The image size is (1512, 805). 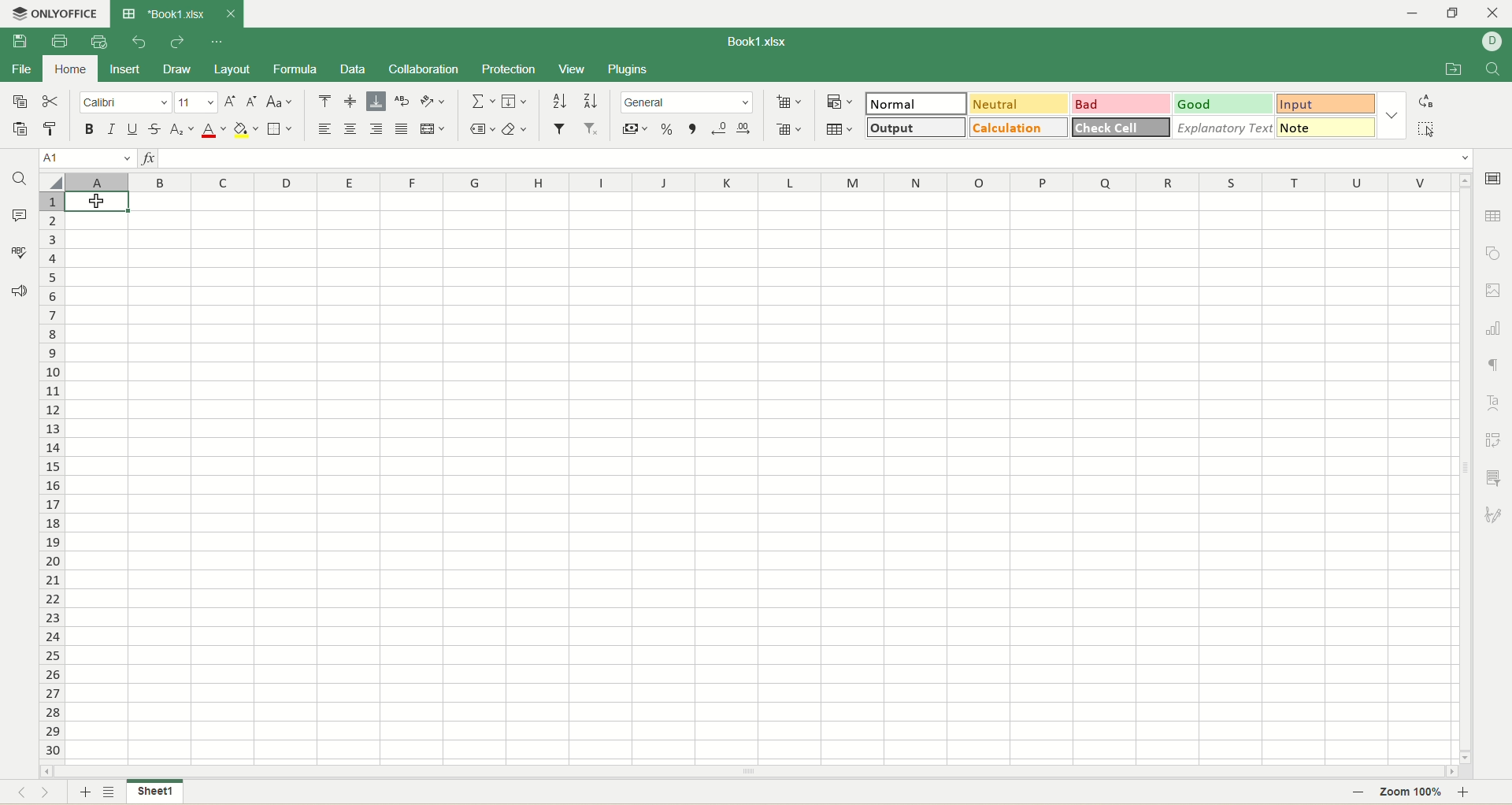 What do you see at coordinates (50, 132) in the screenshot?
I see `copy style` at bounding box center [50, 132].